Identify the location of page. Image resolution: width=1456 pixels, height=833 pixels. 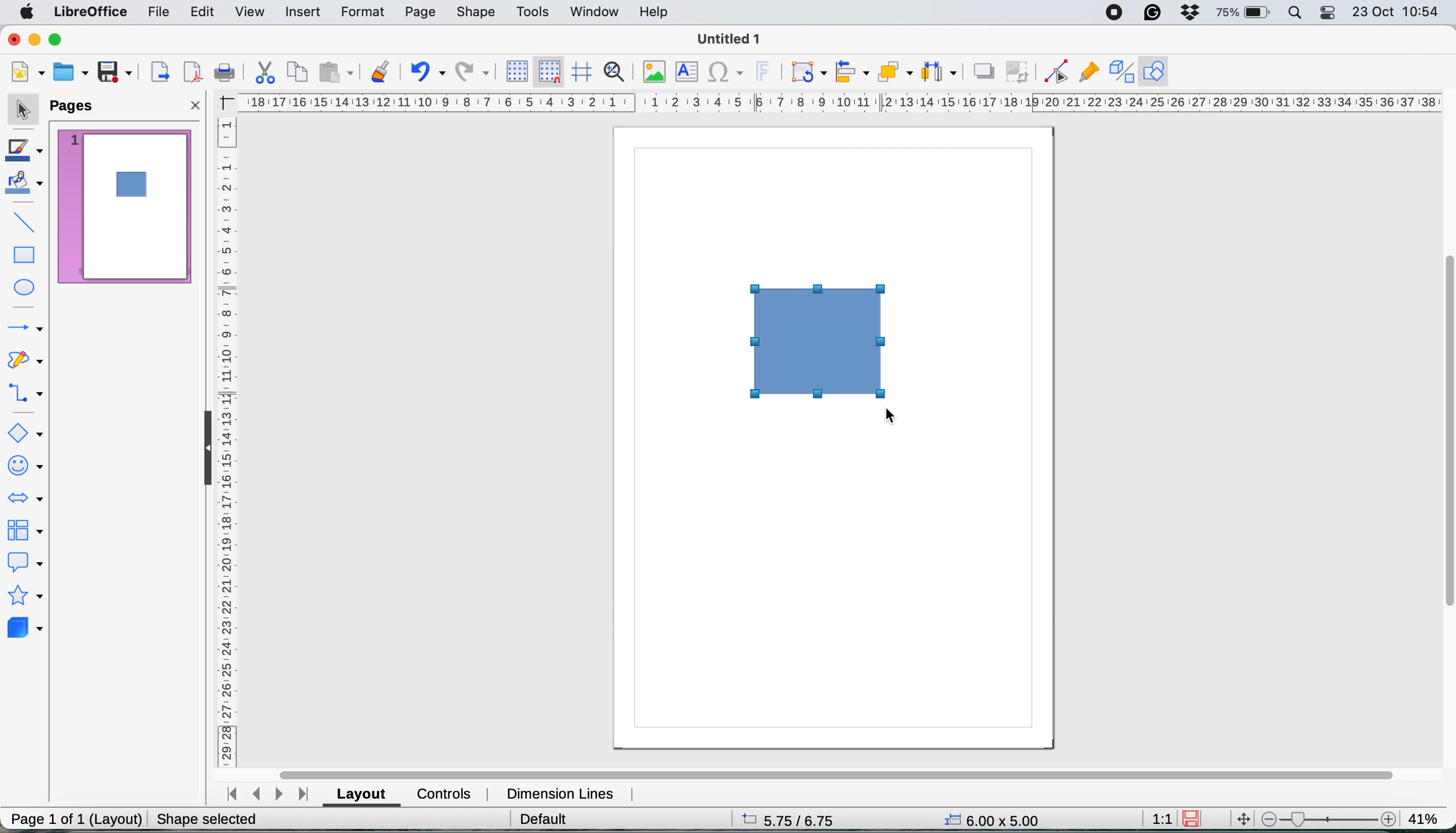
(420, 13).